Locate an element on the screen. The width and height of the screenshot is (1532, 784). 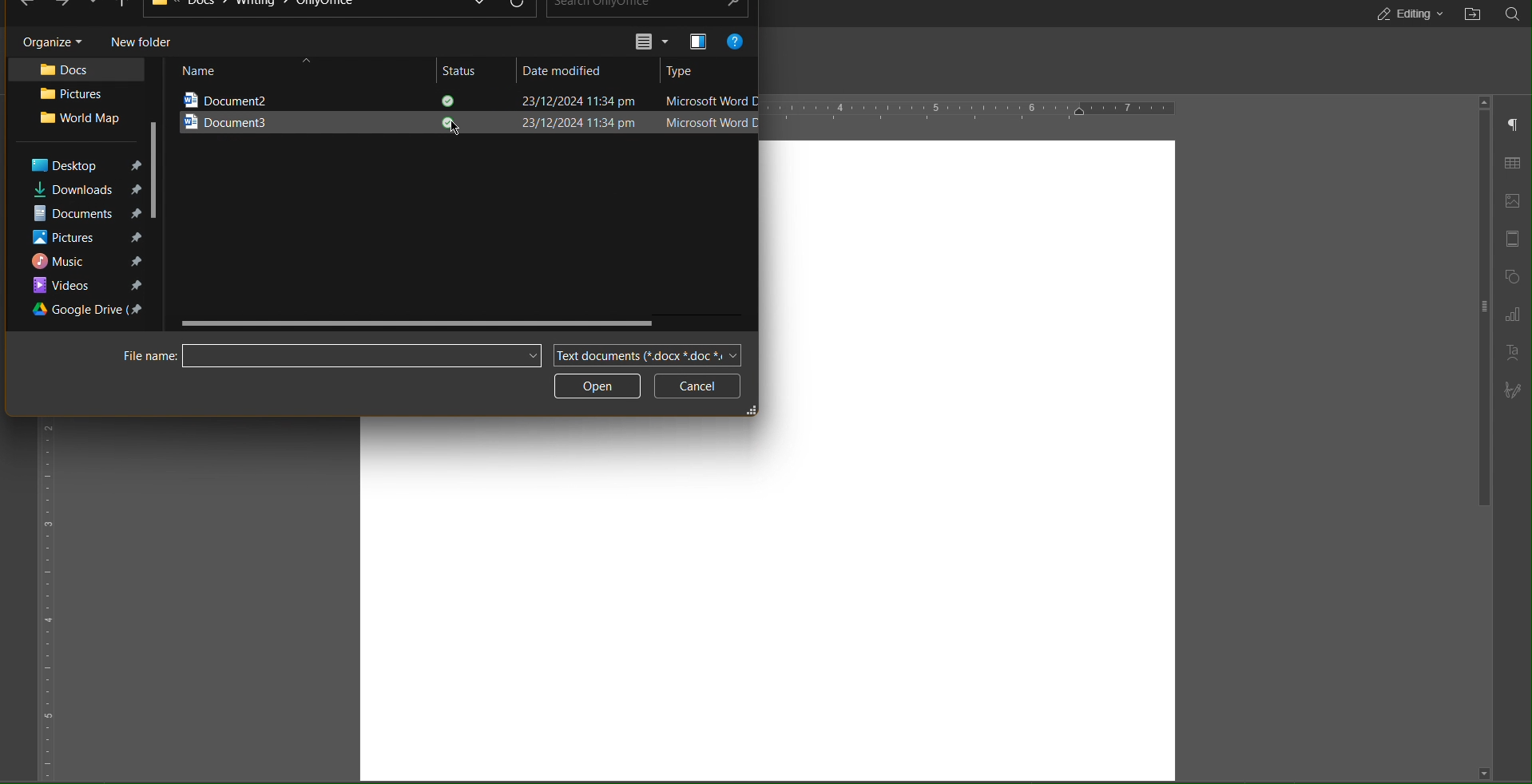
Date modified is located at coordinates (569, 70).